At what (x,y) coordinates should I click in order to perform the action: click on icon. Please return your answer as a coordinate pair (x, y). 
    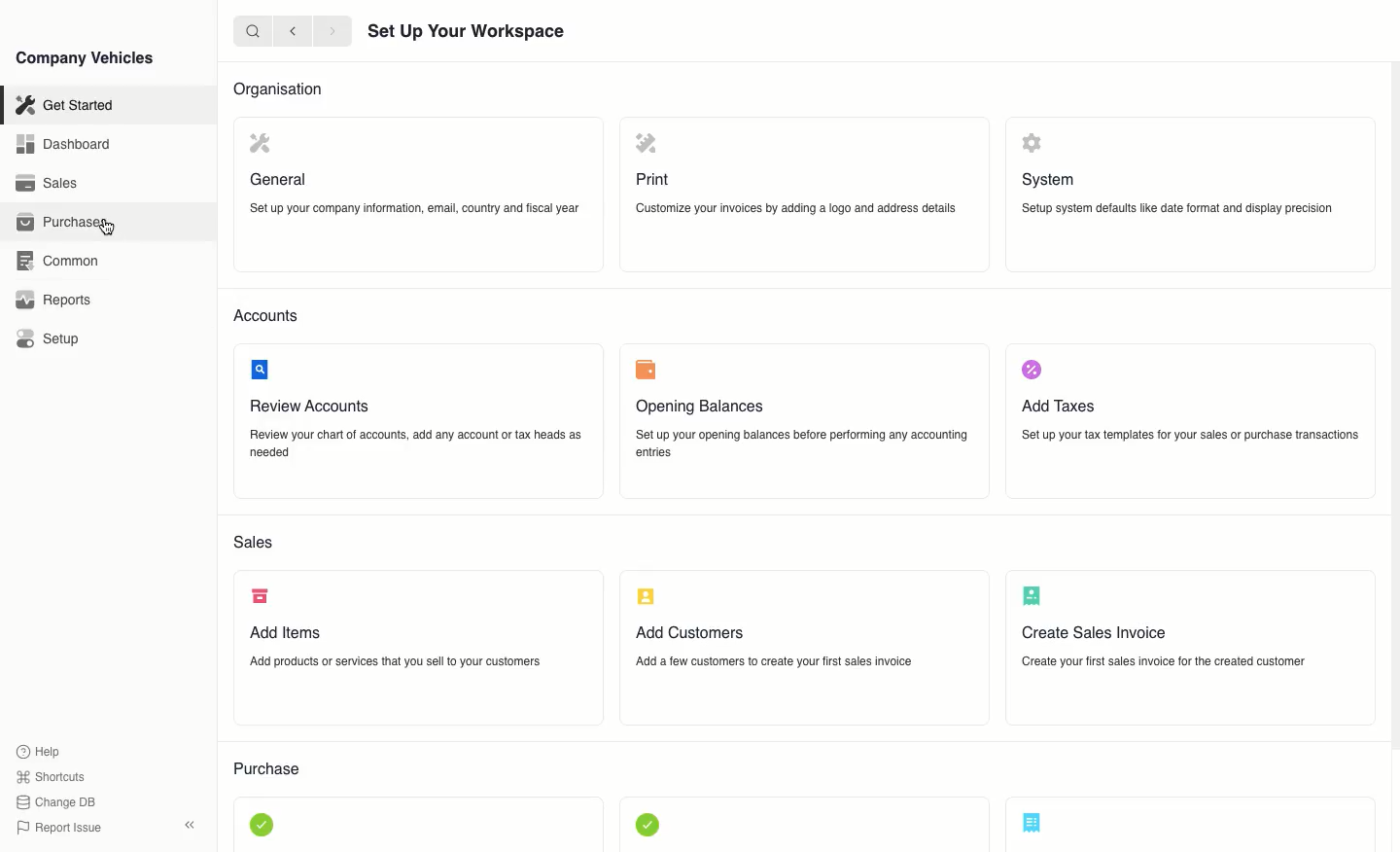
    Looking at the image, I should click on (261, 596).